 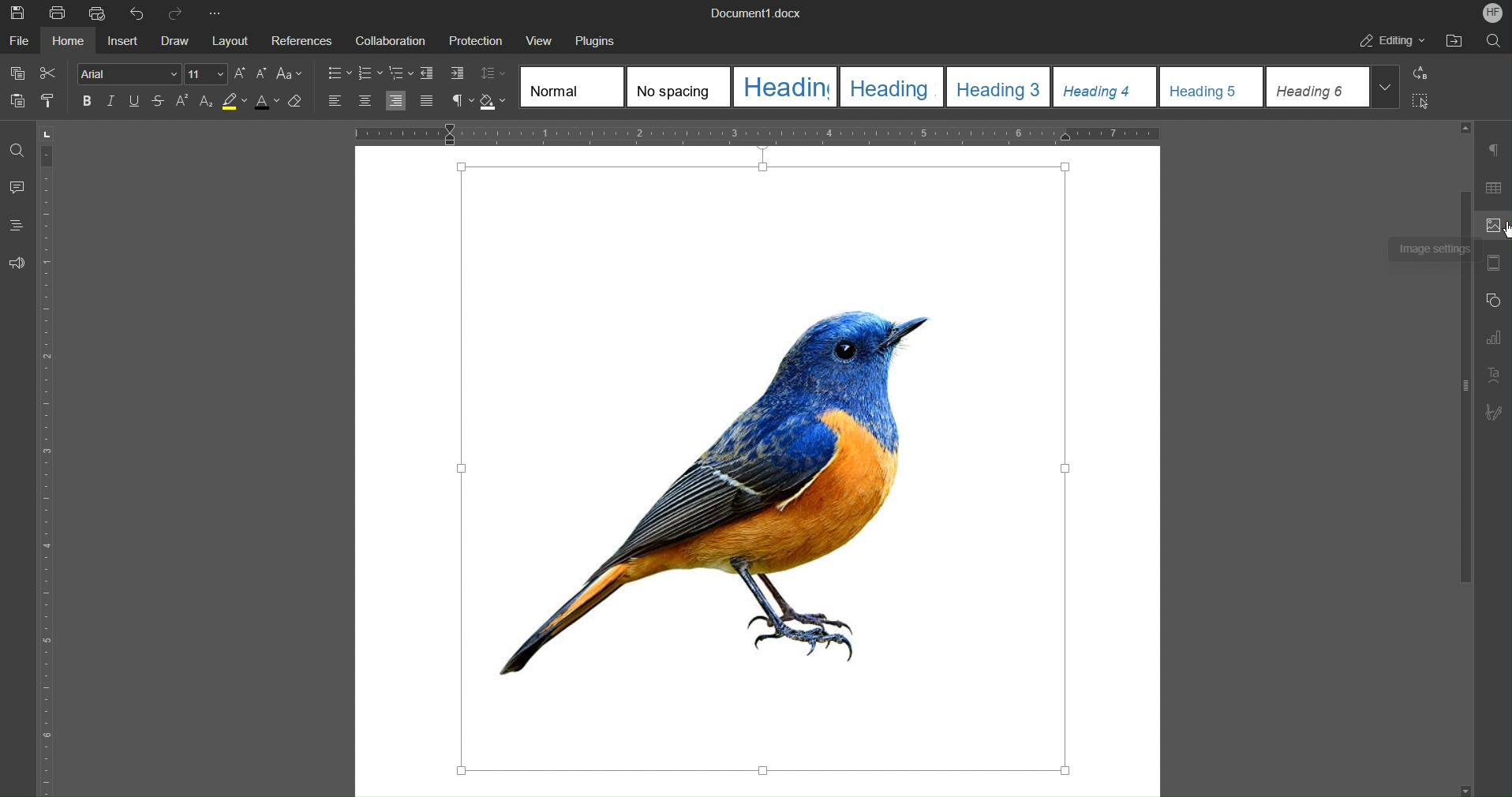 What do you see at coordinates (183, 103) in the screenshot?
I see `Superscript` at bounding box center [183, 103].